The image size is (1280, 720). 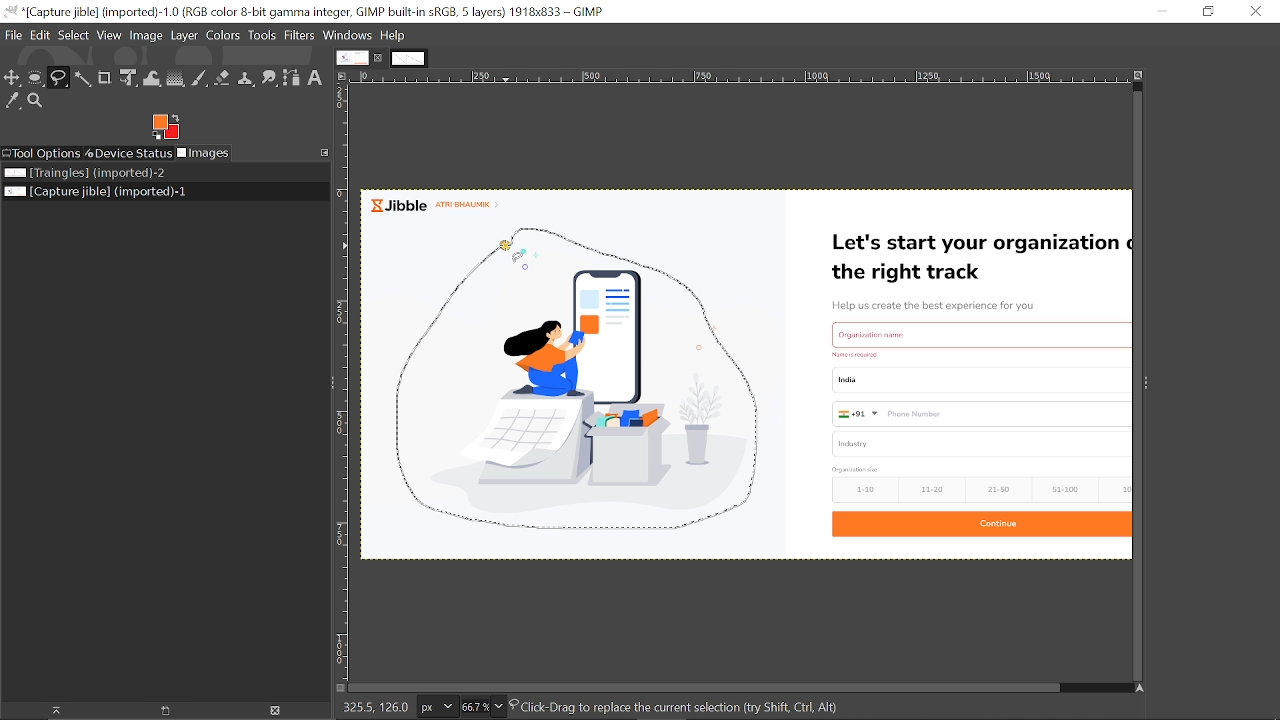 What do you see at coordinates (1258, 13) in the screenshot?
I see `Close` at bounding box center [1258, 13].